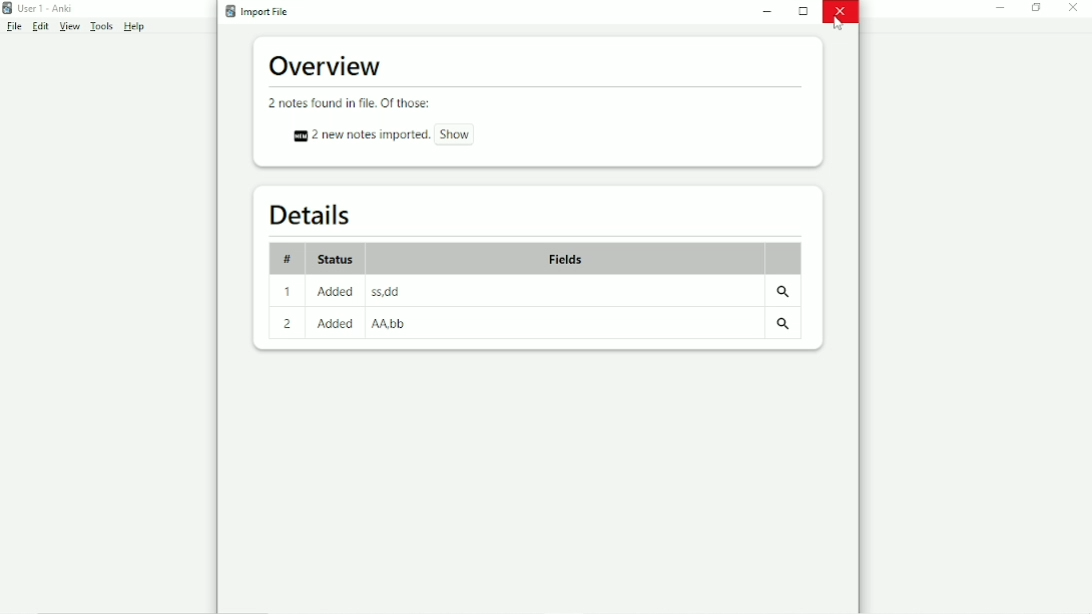  I want to click on File, so click(15, 26).